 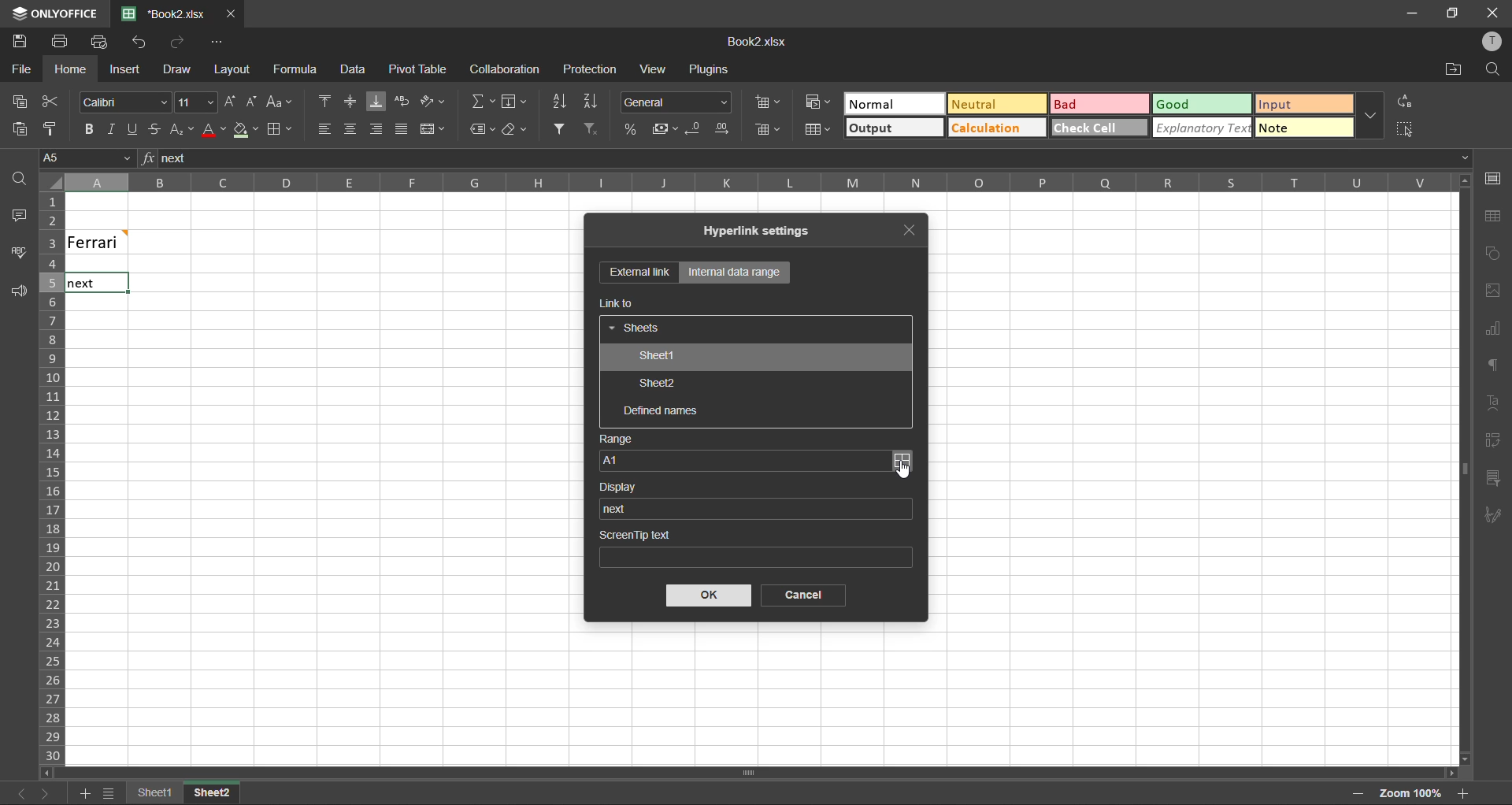 I want to click on comments, so click(x=17, y=216).